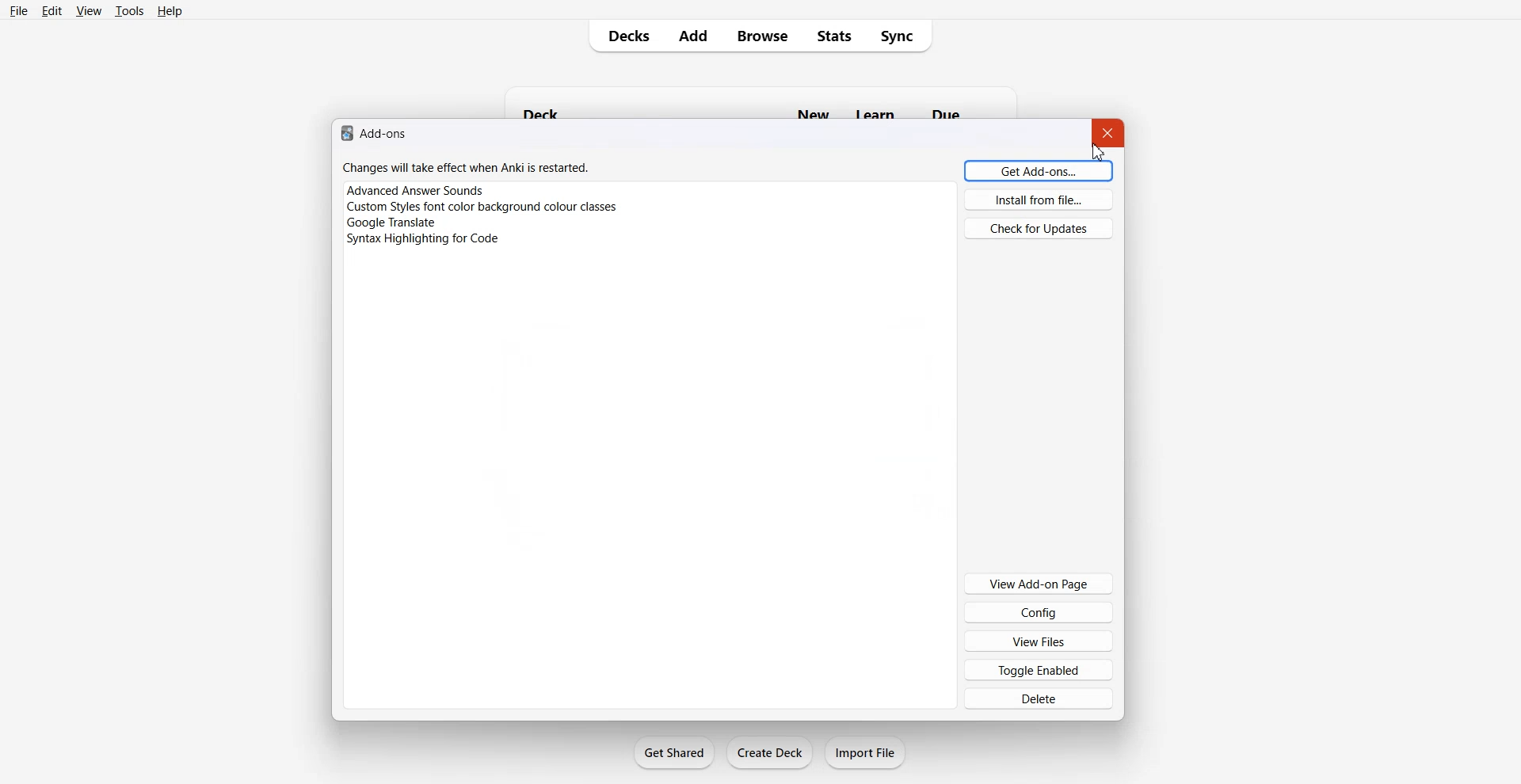 The width and height of the screenshot is (1521, 784). What do you see at coordinates (902, 36) in the screenshot?
I see `Sync` at bounding box center [902, 36].